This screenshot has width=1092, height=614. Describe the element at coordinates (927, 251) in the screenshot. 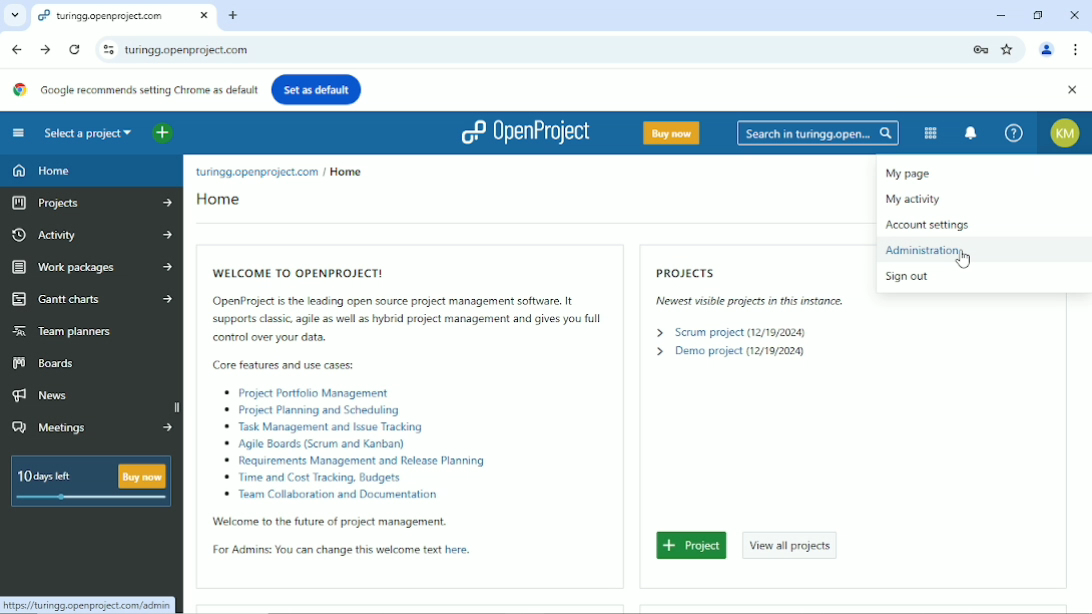

I see `Administration` at that location.